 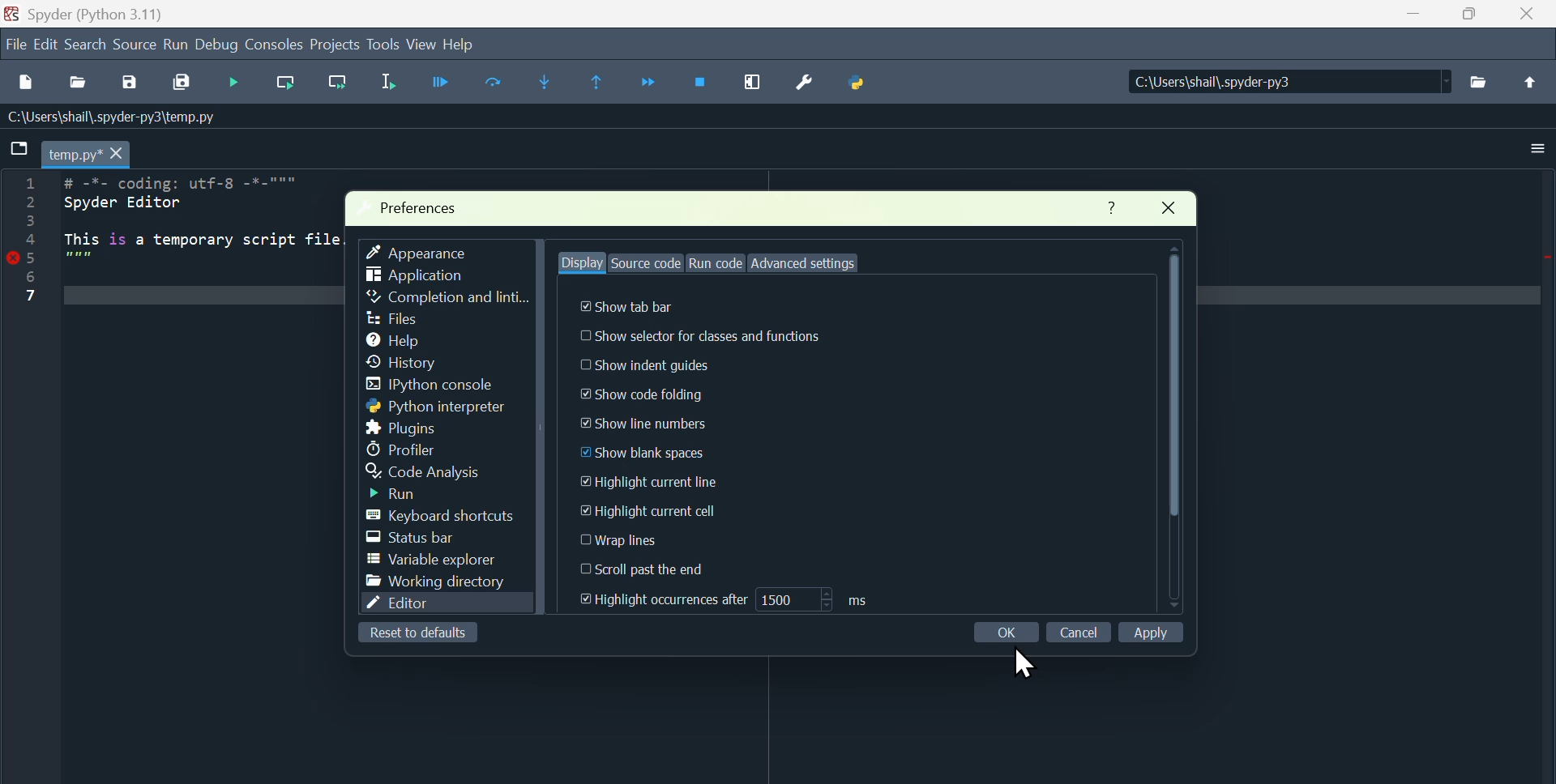 I want to click on Show code folding, so click(x=645, y=394).